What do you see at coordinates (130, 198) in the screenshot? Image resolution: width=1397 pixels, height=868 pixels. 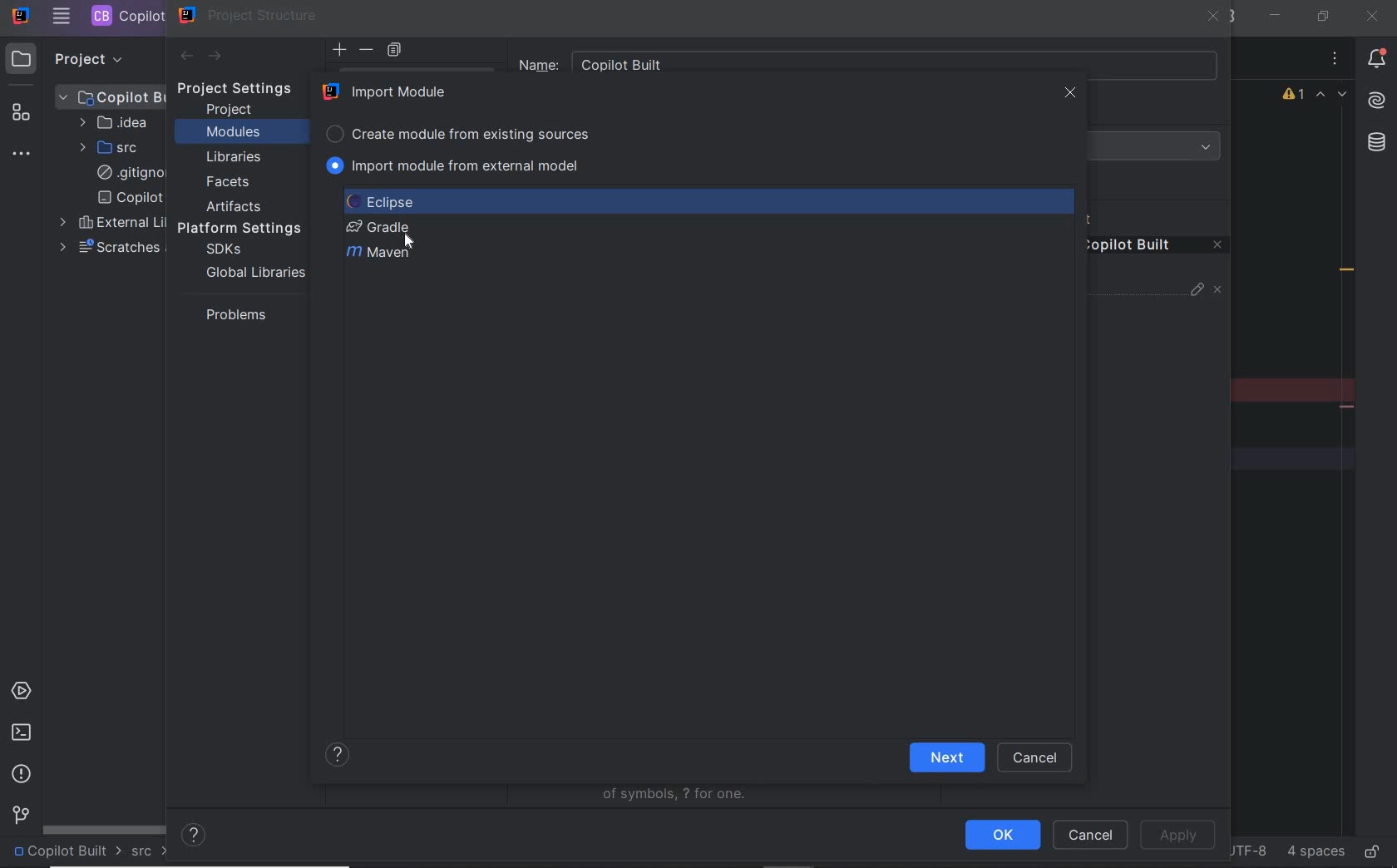 I see `copilot built.iml` at bounding box center [130, 198].